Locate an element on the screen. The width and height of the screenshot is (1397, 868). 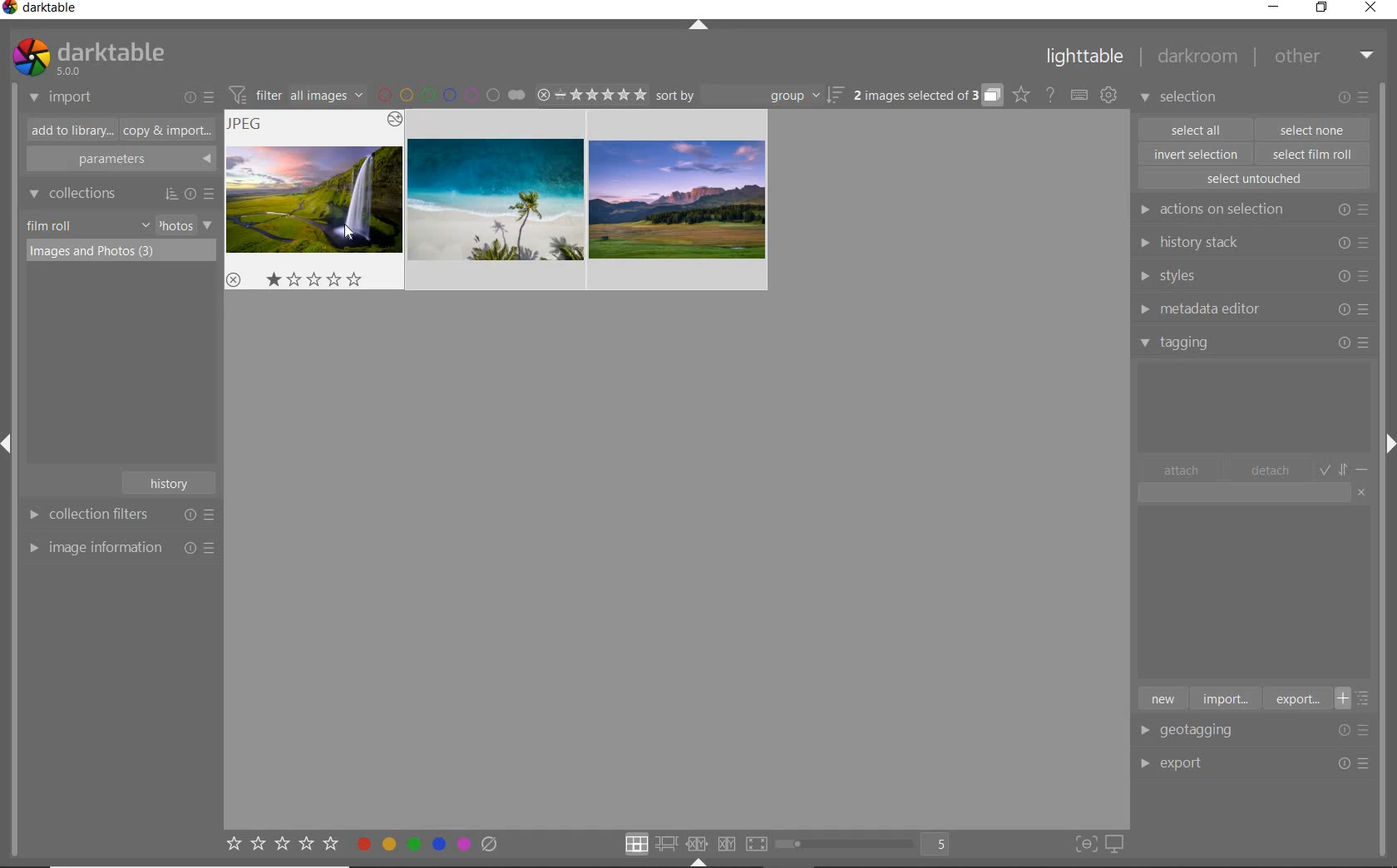
Options is located at coordinates (1355, 764).